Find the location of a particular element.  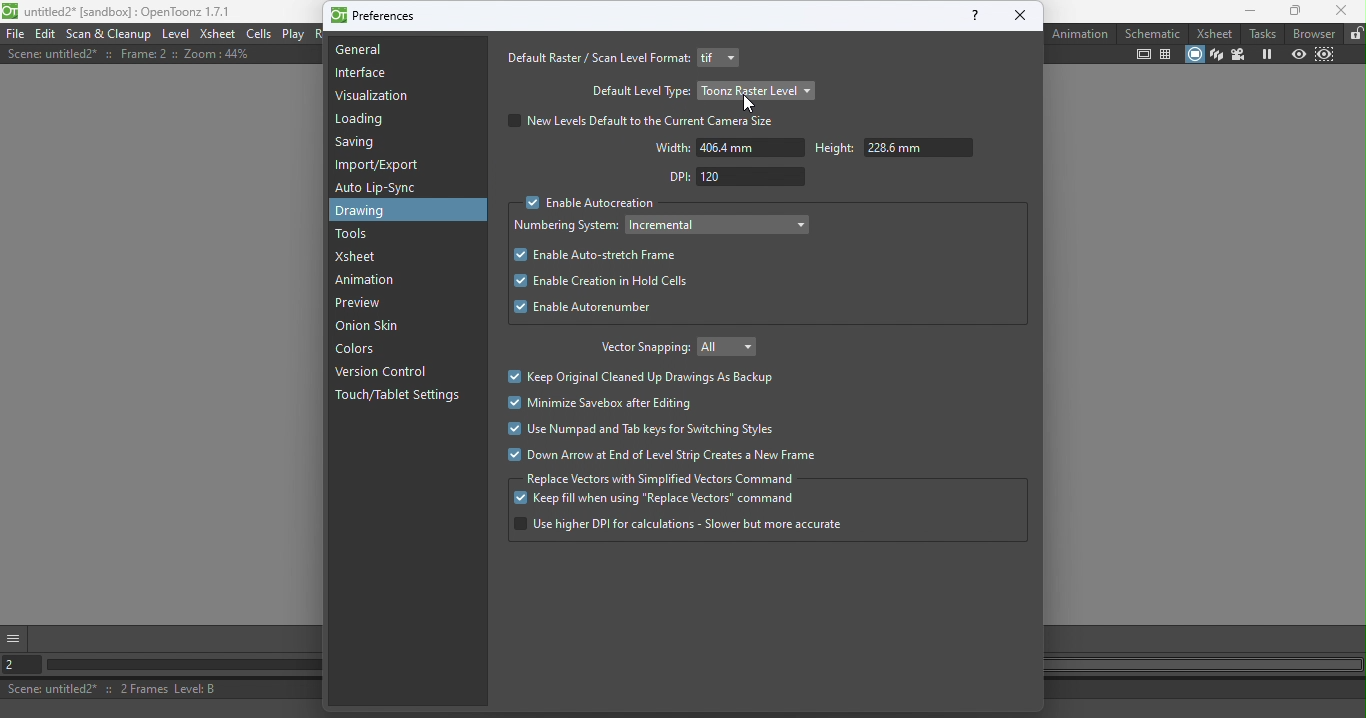

Minimize is located at coordinates (1239, 12).